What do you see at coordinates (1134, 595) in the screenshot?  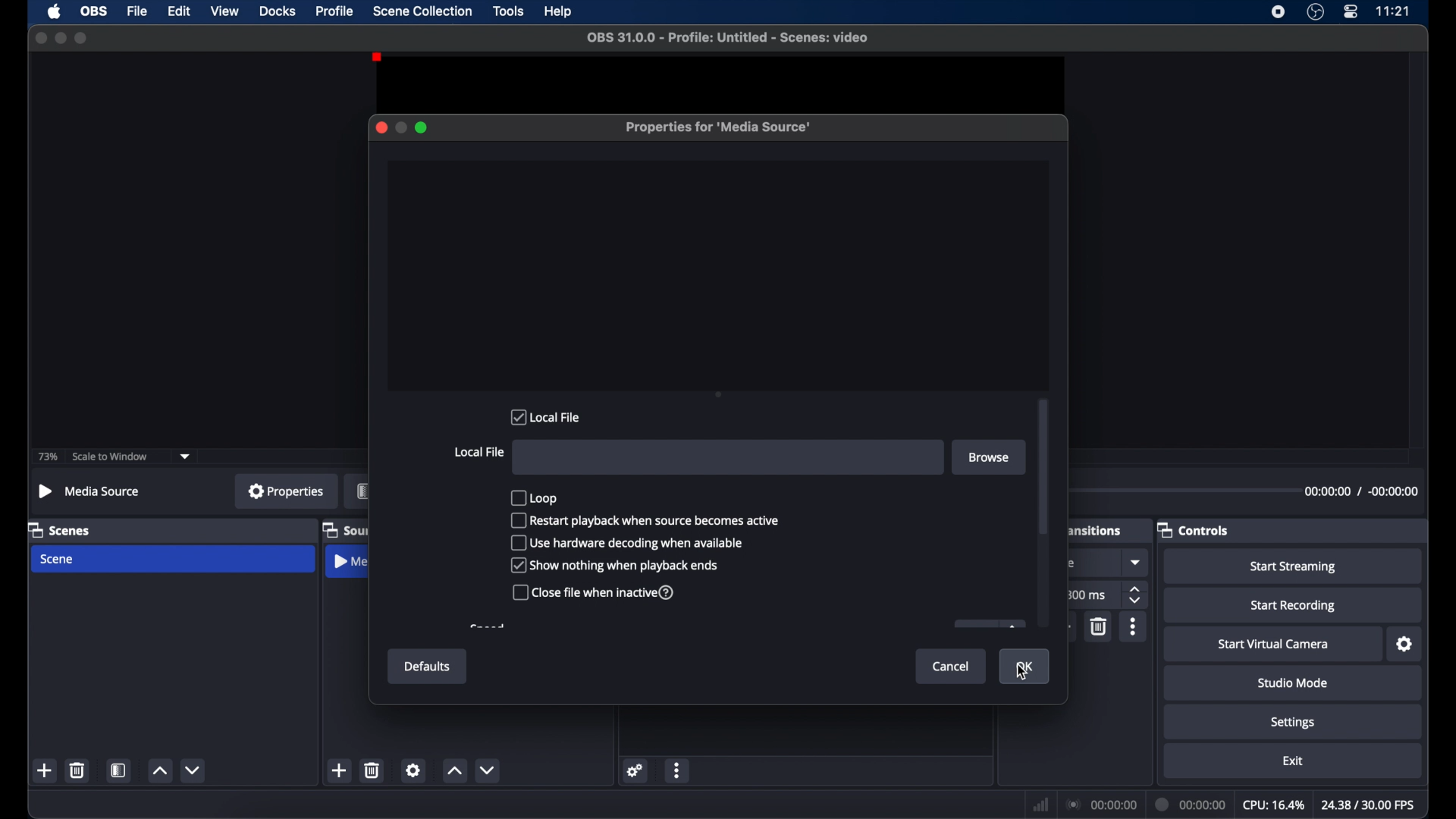 I see `stepper buttons` at bounding box center [1134, 595].